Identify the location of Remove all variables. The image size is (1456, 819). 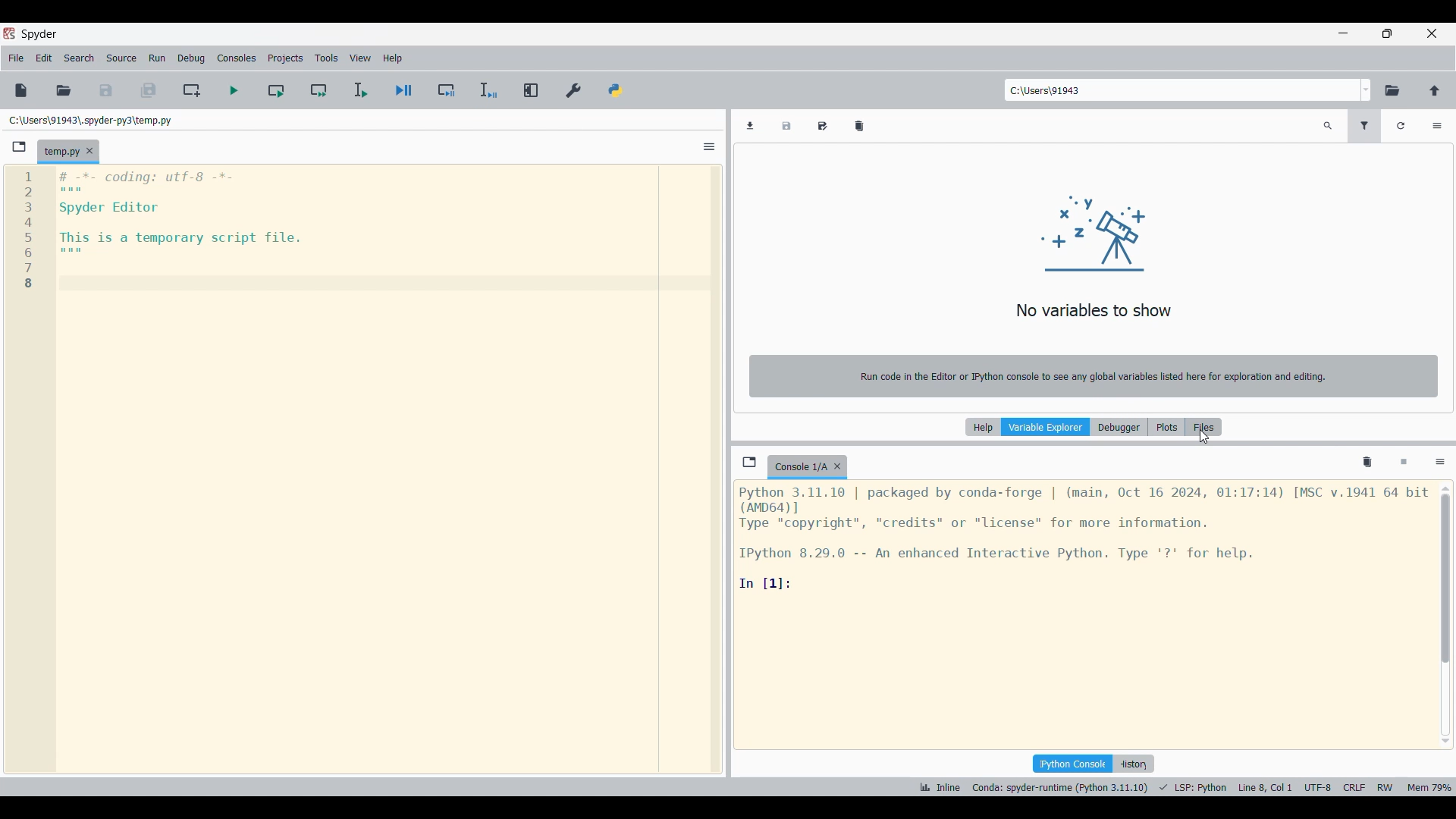
(859, 126).